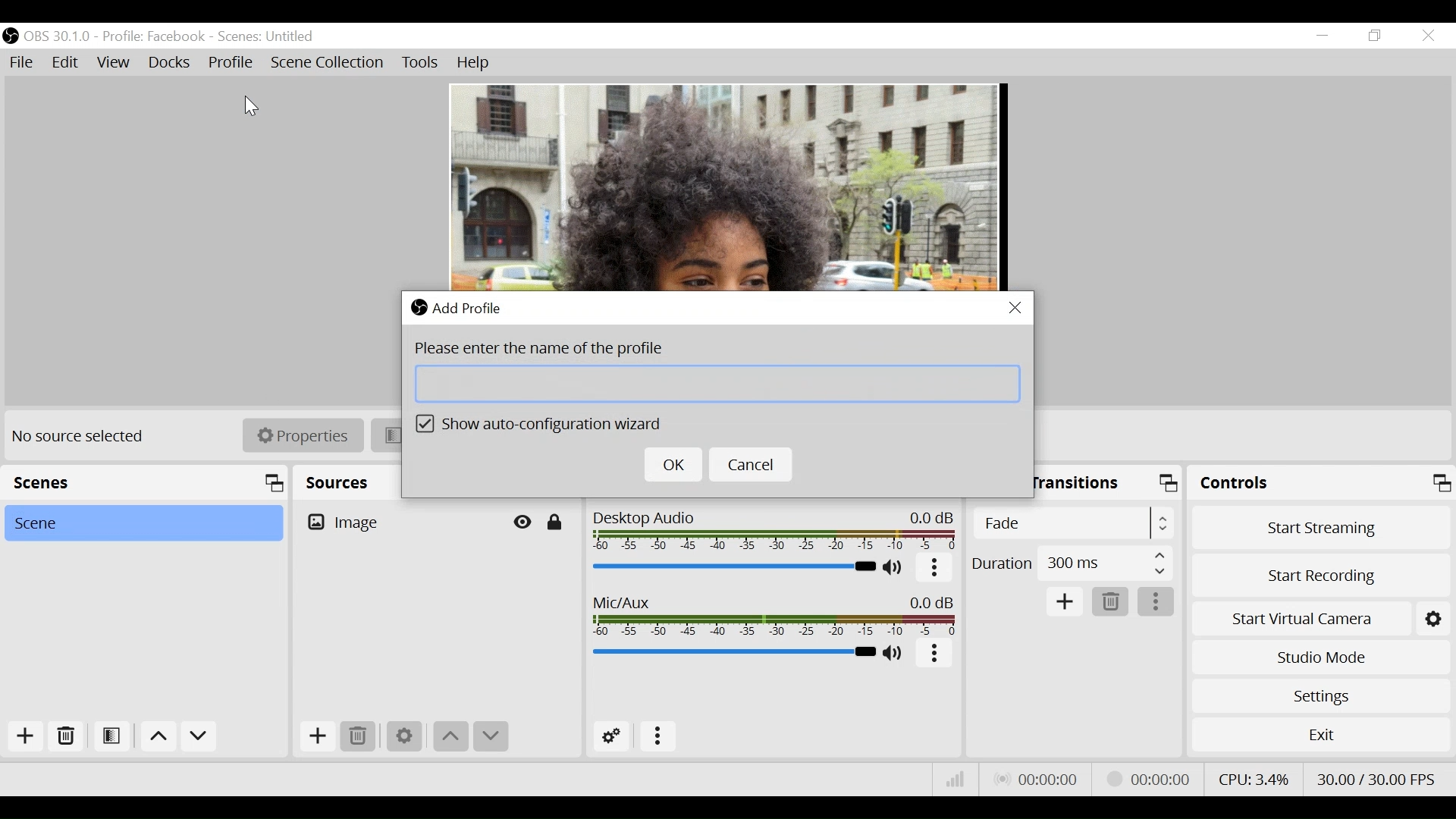 This screenshot has height=819, width=1456. I want to click on Add, so click(316, 736).